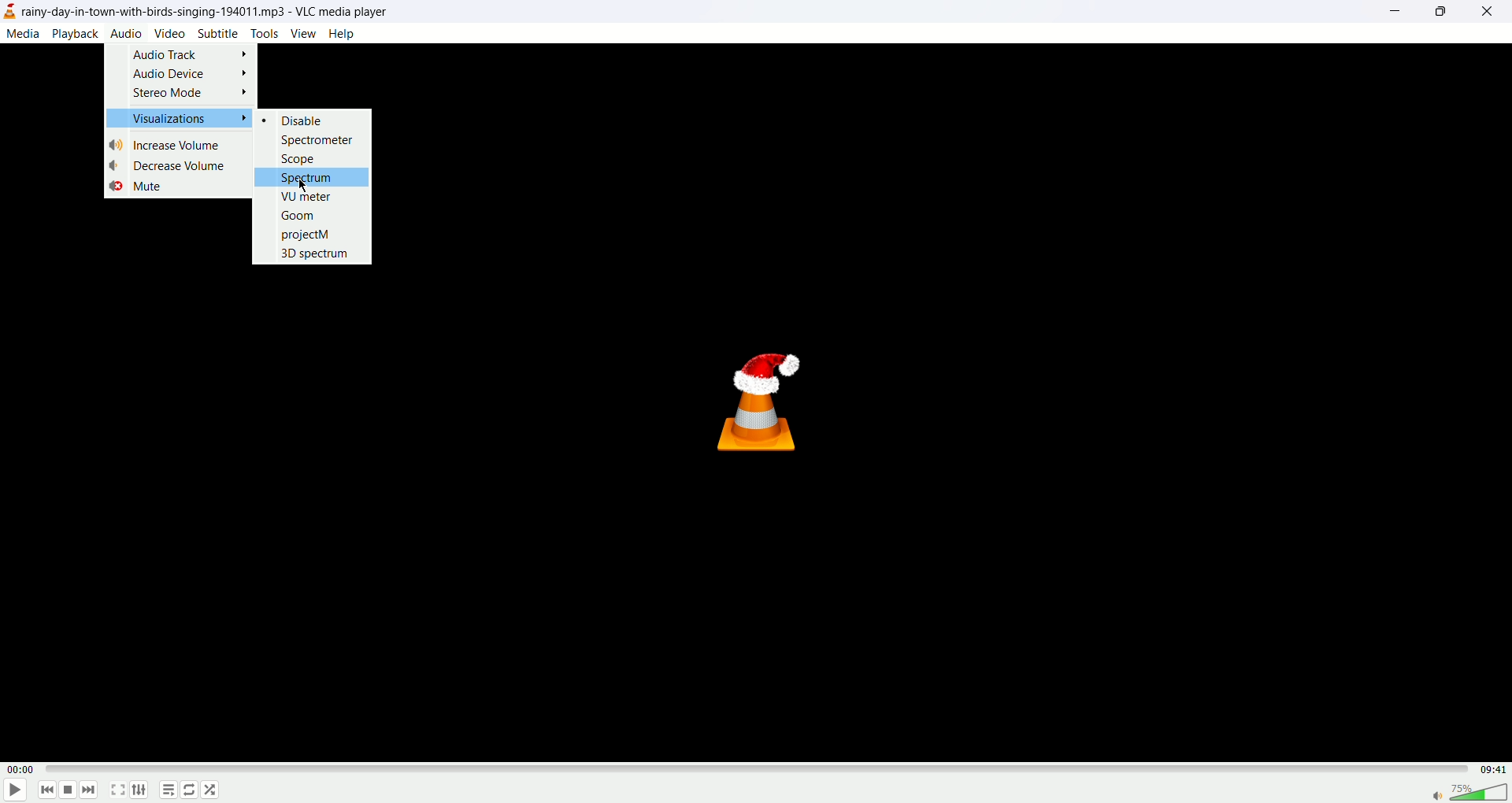  Describe the element at coordinates (302, 34) in the screenshot. I see `view` at that location.